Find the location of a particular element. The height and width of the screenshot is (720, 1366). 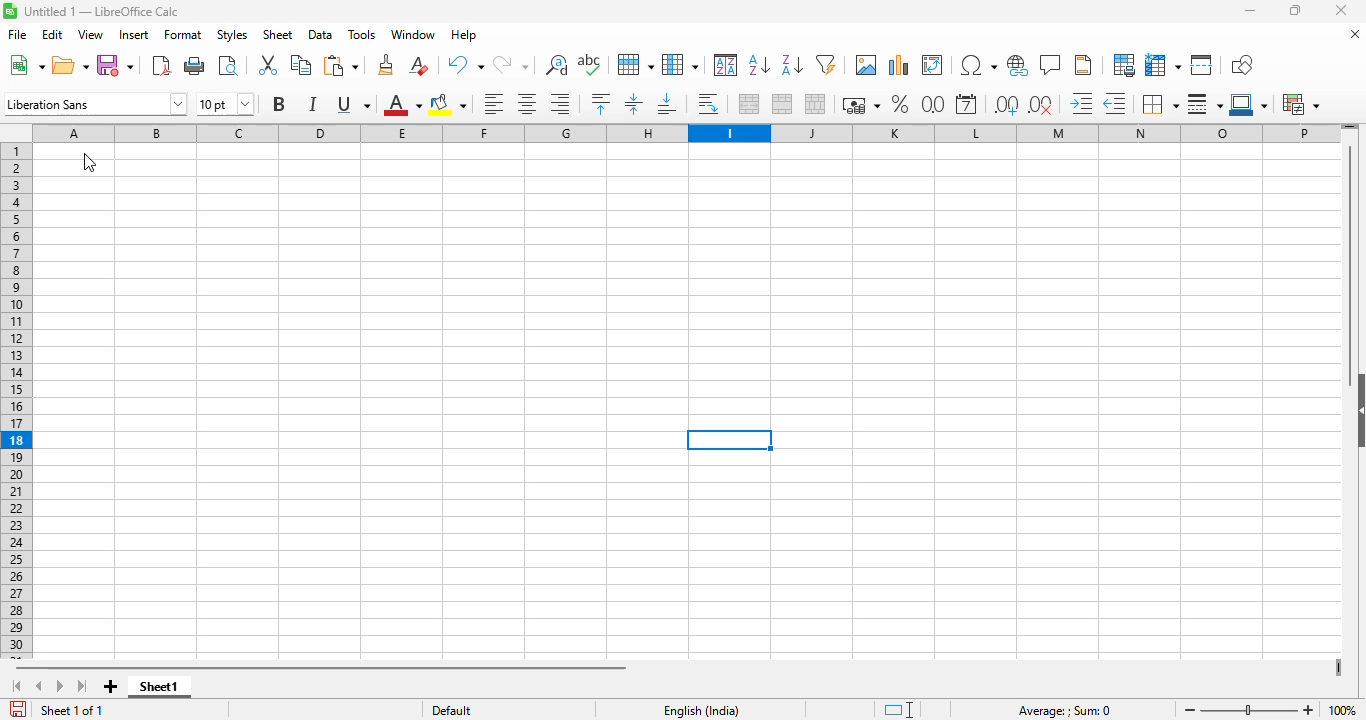

title is located at coordinates (102, 11).